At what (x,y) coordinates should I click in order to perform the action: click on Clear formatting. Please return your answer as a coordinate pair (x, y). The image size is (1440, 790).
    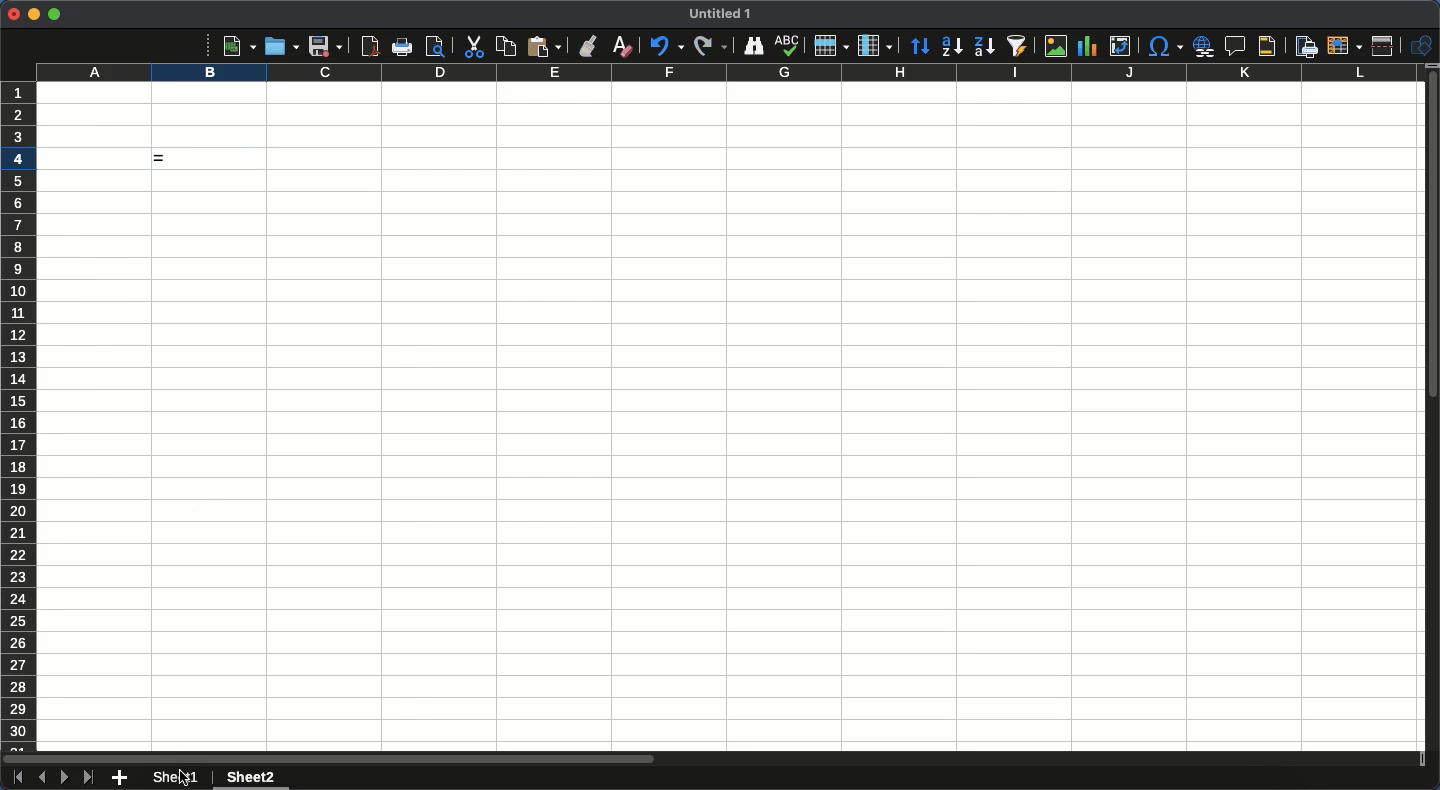
    Looking at the image, I should click on (623, 45).